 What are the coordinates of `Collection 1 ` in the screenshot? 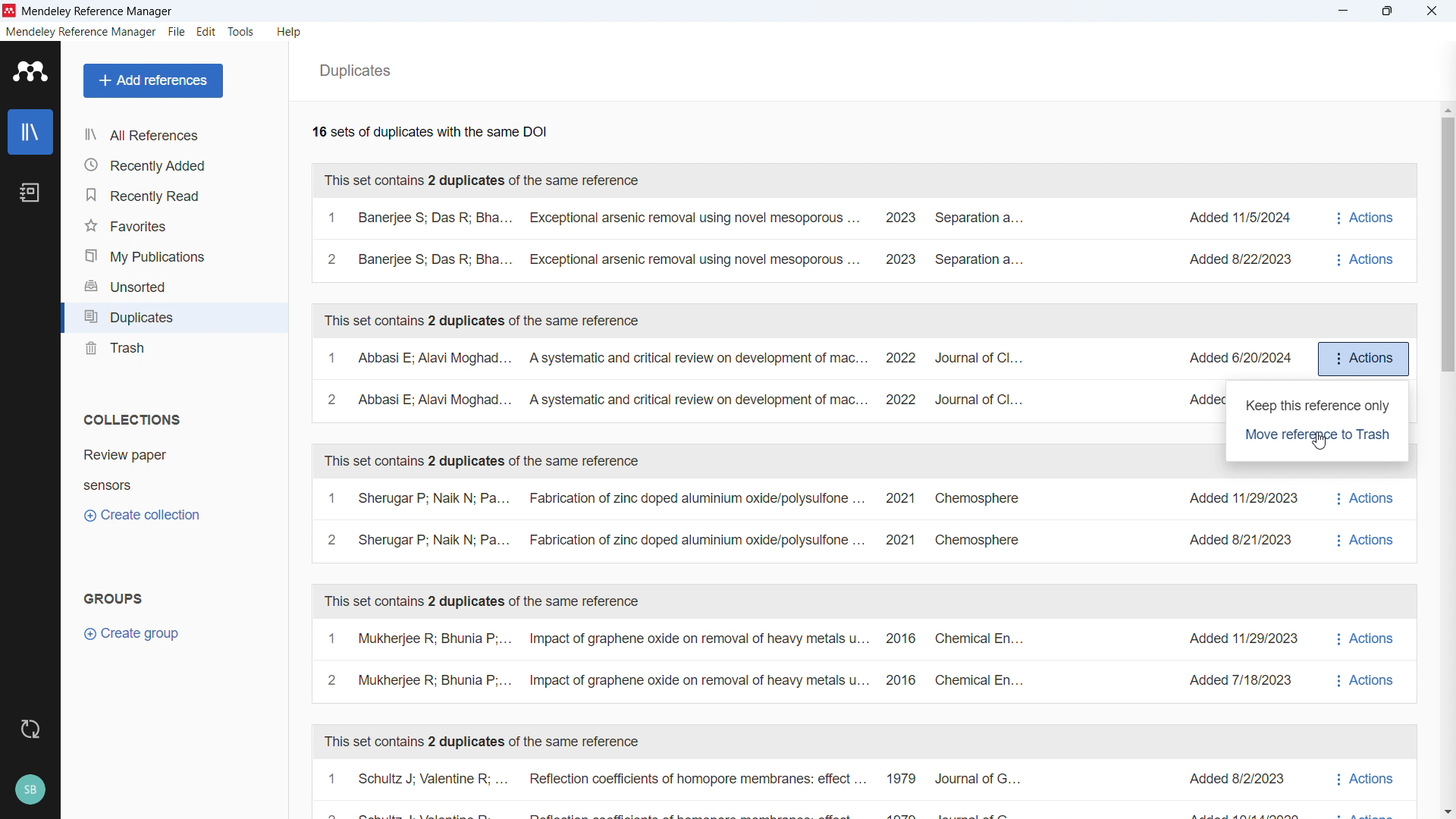 It's located at (127, 455).